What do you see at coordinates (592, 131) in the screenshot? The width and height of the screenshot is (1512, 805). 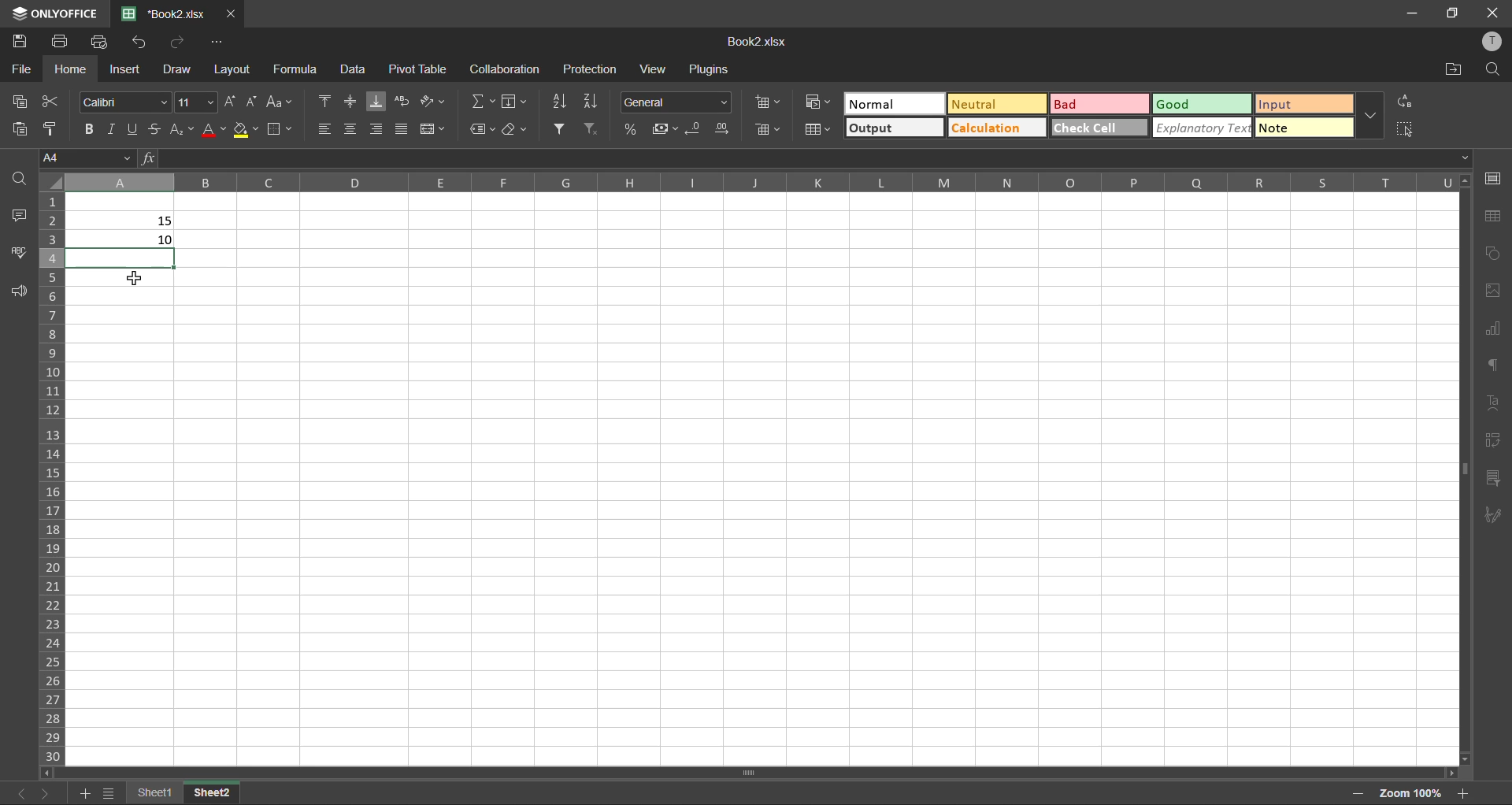 I see `clear filter` at bounding box center [592, 131].